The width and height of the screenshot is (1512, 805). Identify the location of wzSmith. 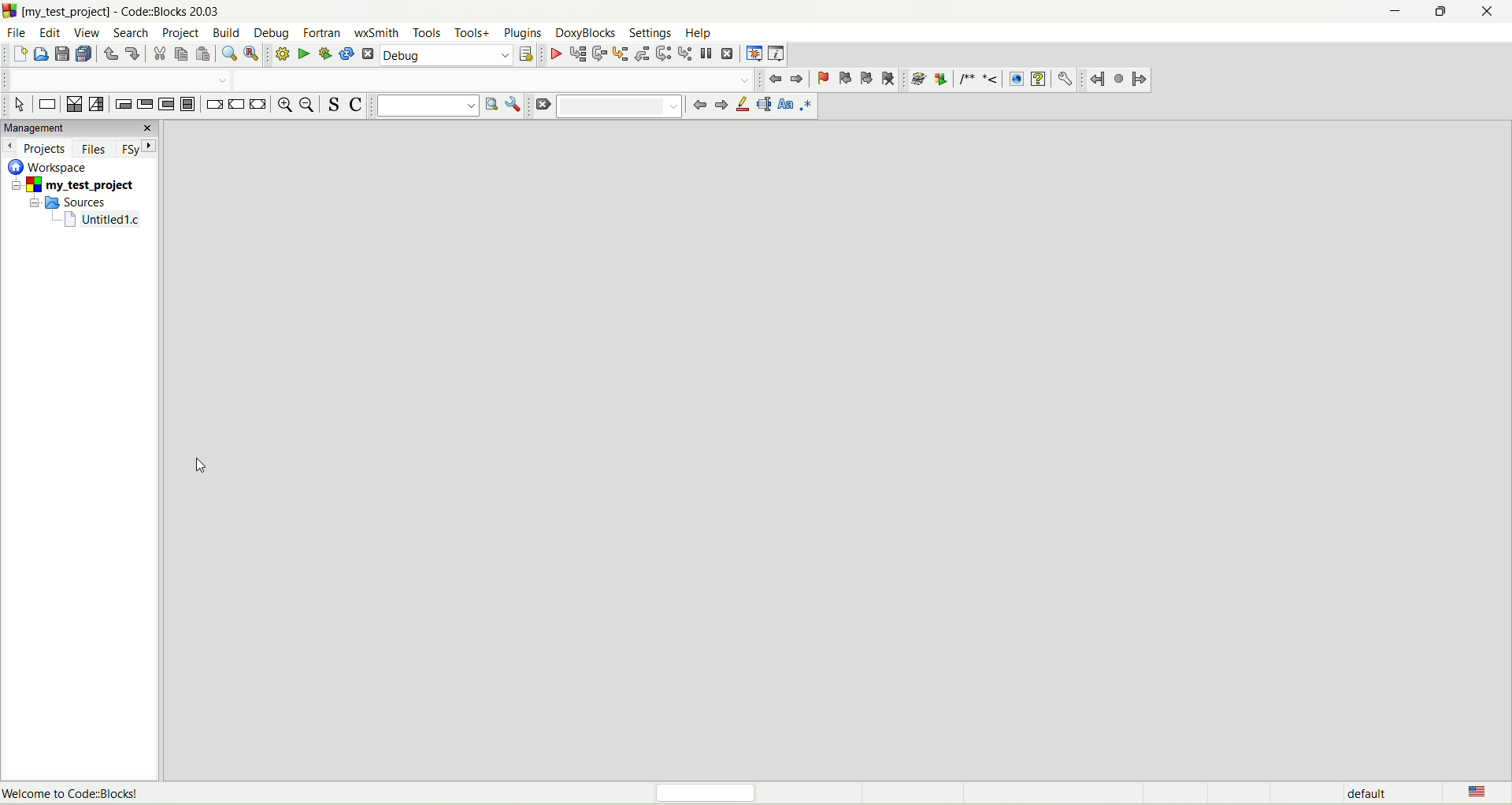
(377, 32).